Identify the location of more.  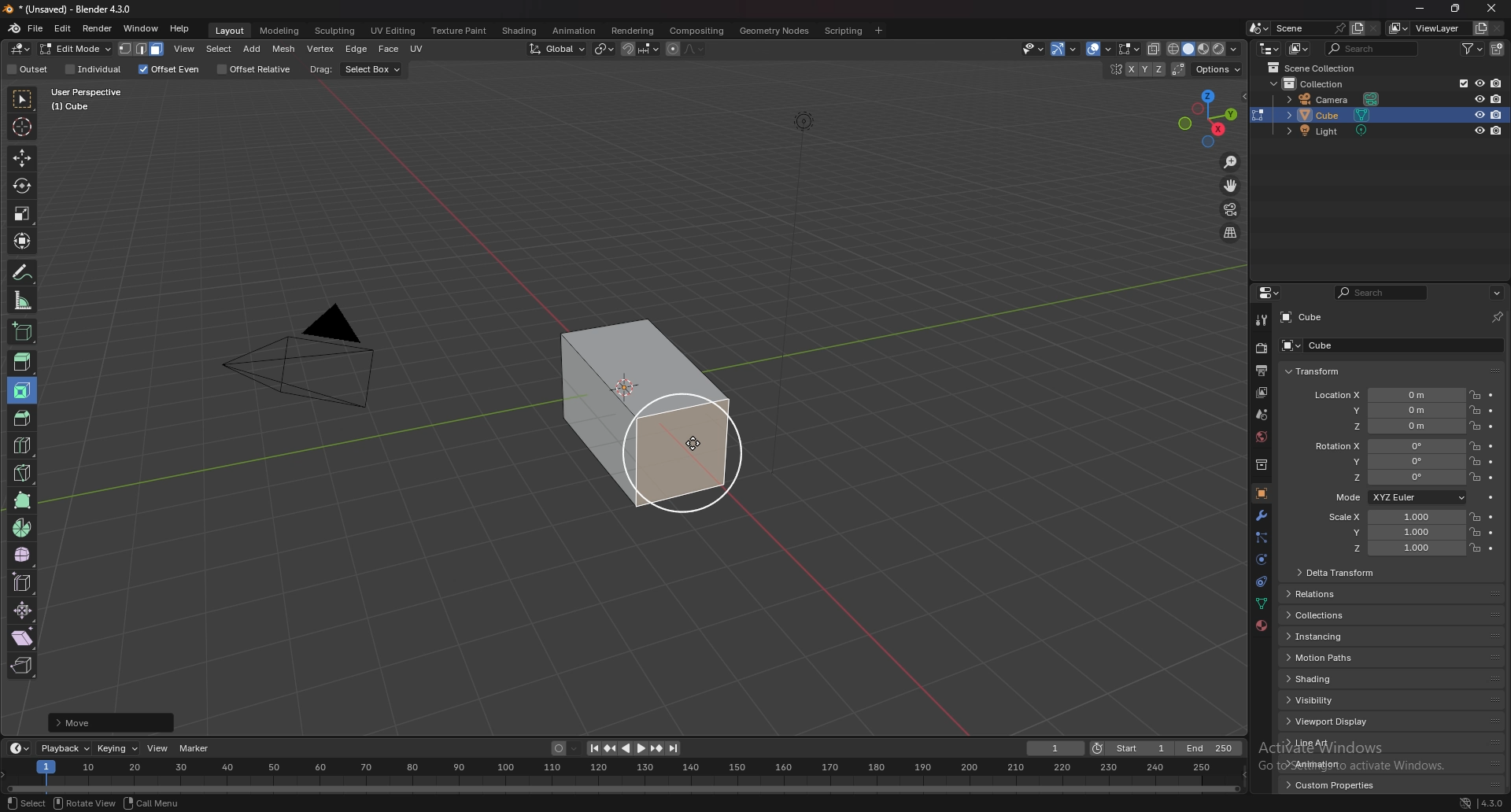
(87, 722).